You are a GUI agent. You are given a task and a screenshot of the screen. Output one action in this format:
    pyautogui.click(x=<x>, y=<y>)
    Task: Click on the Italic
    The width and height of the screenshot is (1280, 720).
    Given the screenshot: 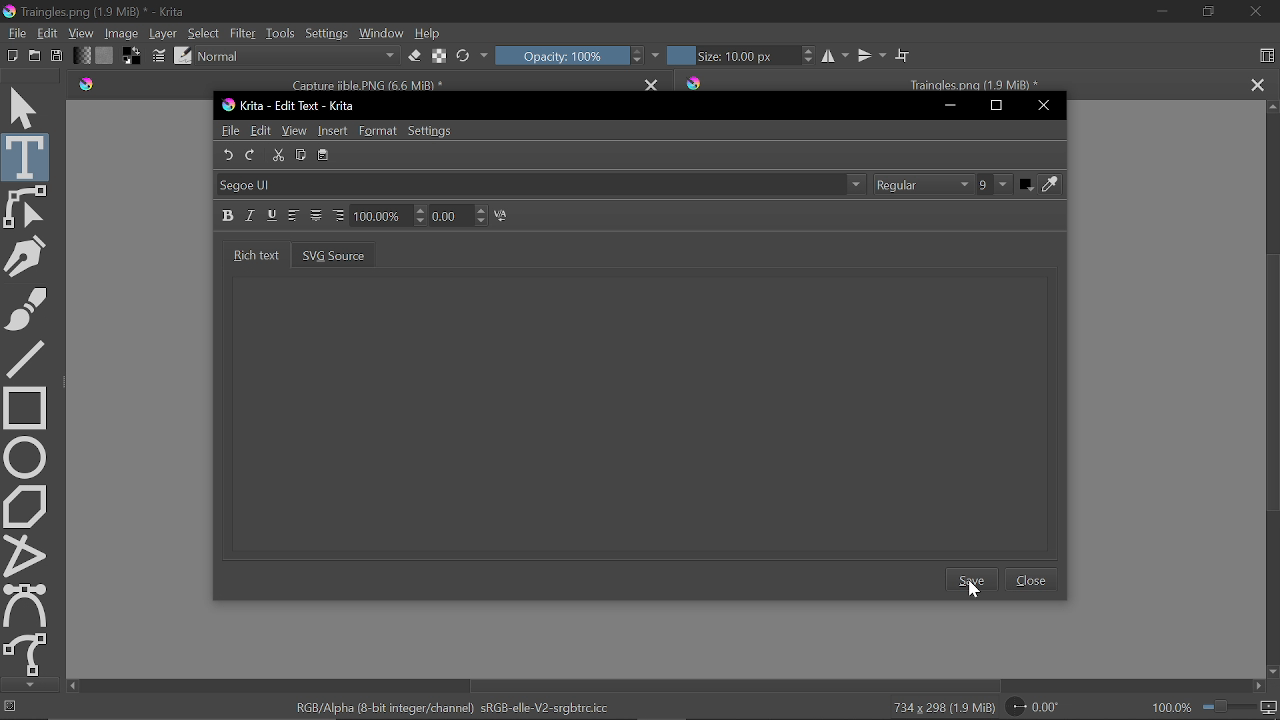 What is the action you would take?
    pyautogui.click(x=251, y=217)
    